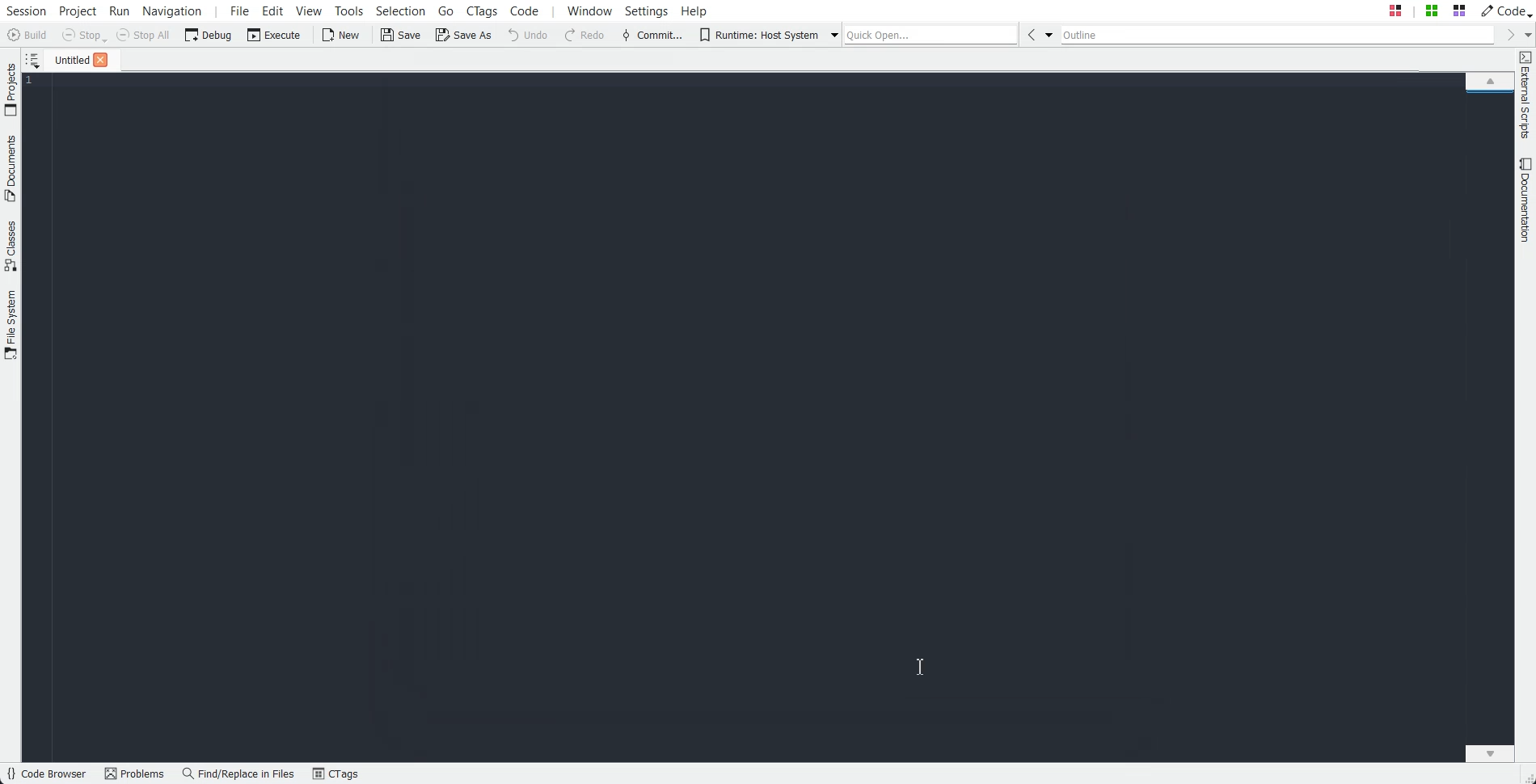 This screenshot has width=1536, height=784. Describe the element at coordinates (134, 774) in the screenshot. I see `Problems` at that location.